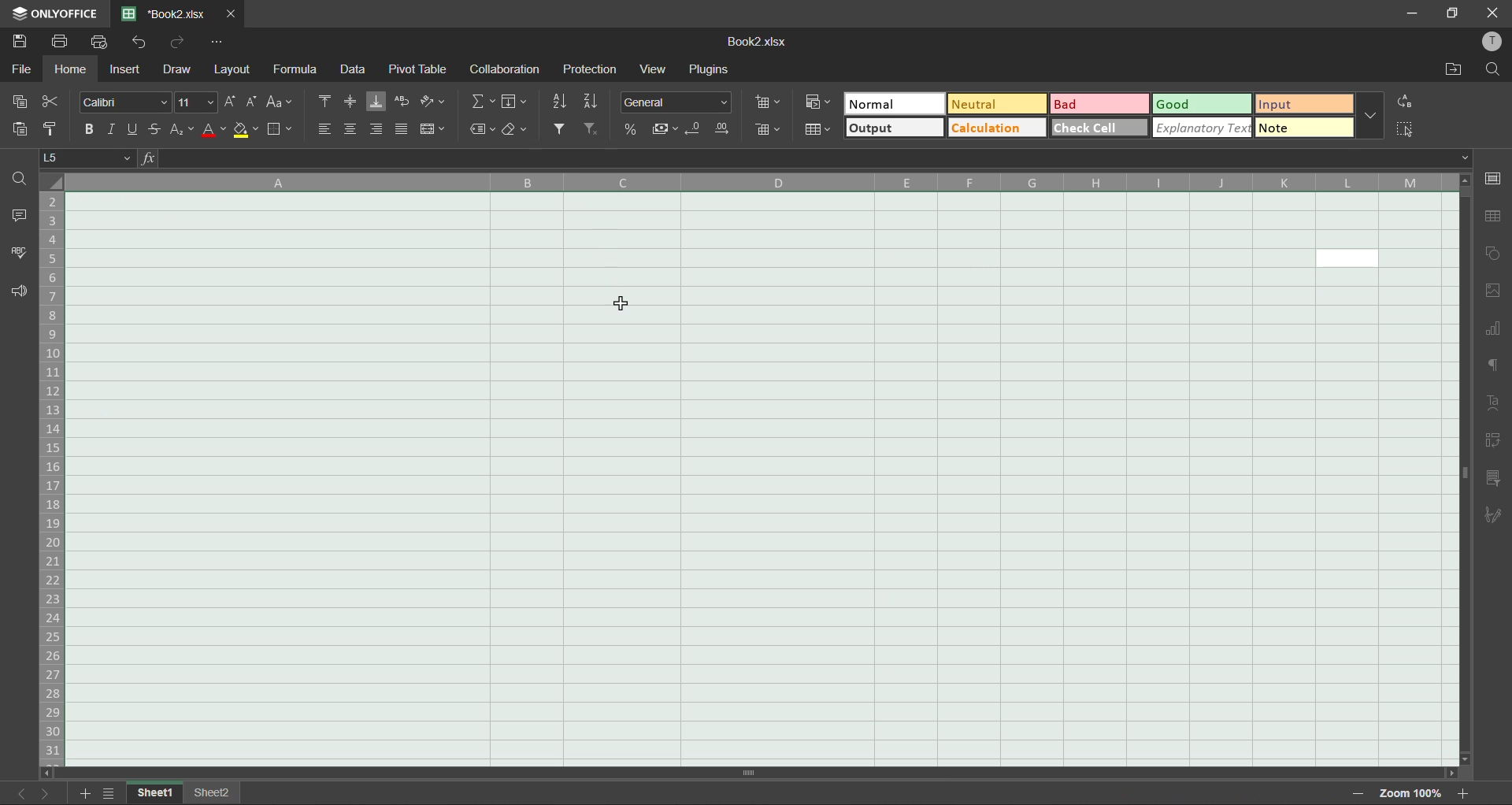  What do you see at coordinates (756, 42) in the screenshot?
I see `filename` at bounding box center [756, 42].